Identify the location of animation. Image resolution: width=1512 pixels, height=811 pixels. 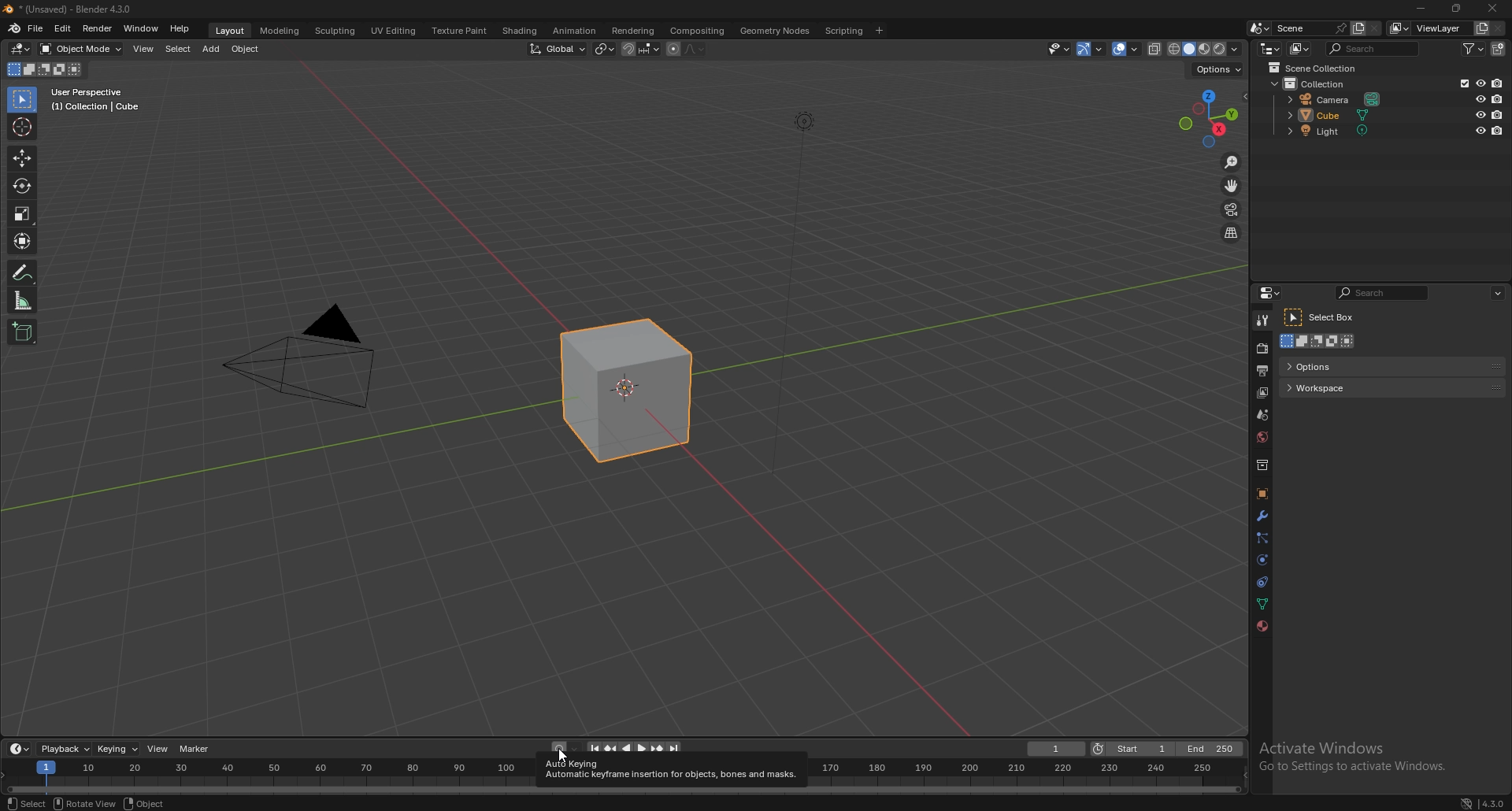
(575, 31).